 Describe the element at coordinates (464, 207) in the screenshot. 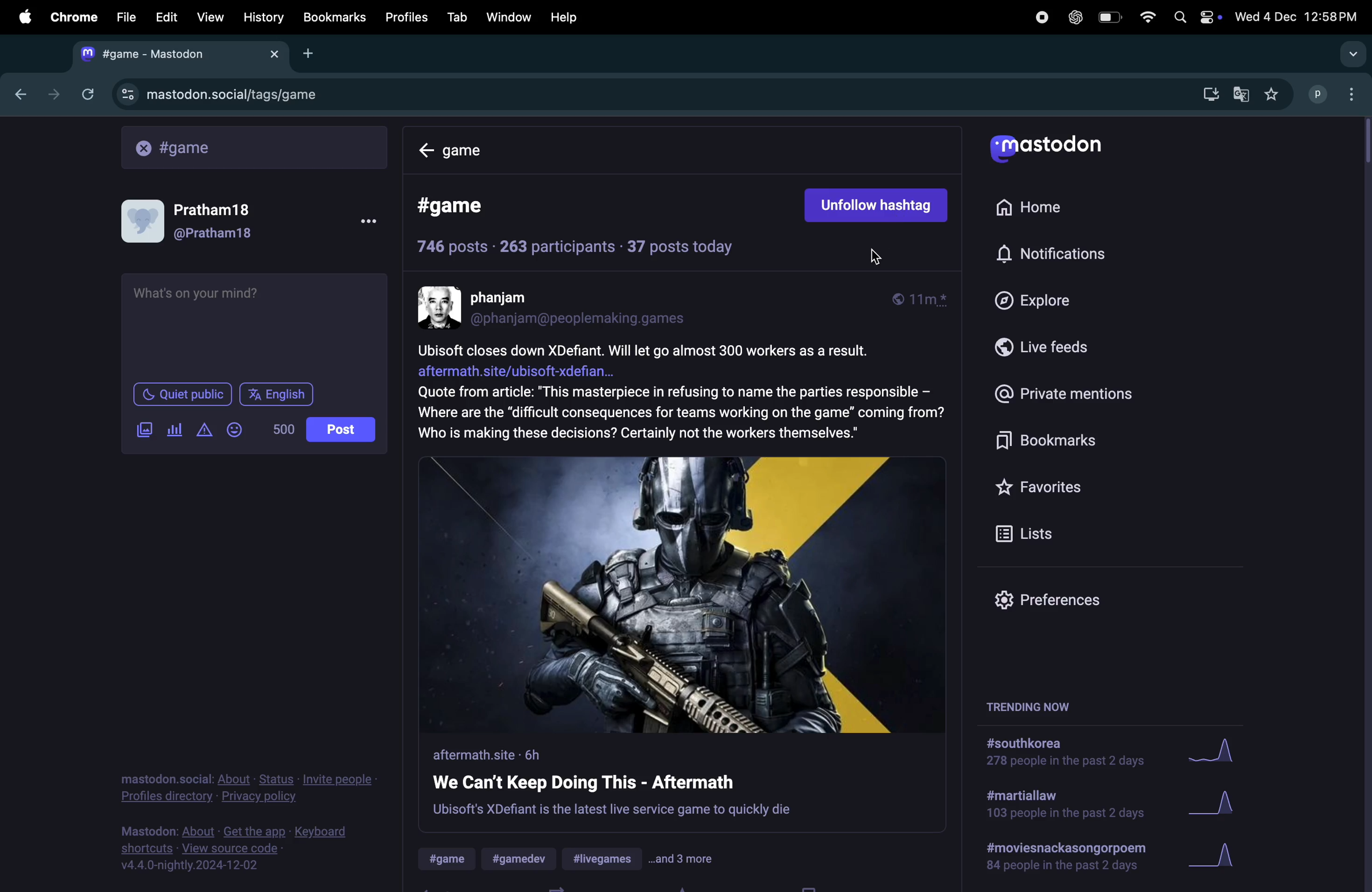

I see `#game` at that location.